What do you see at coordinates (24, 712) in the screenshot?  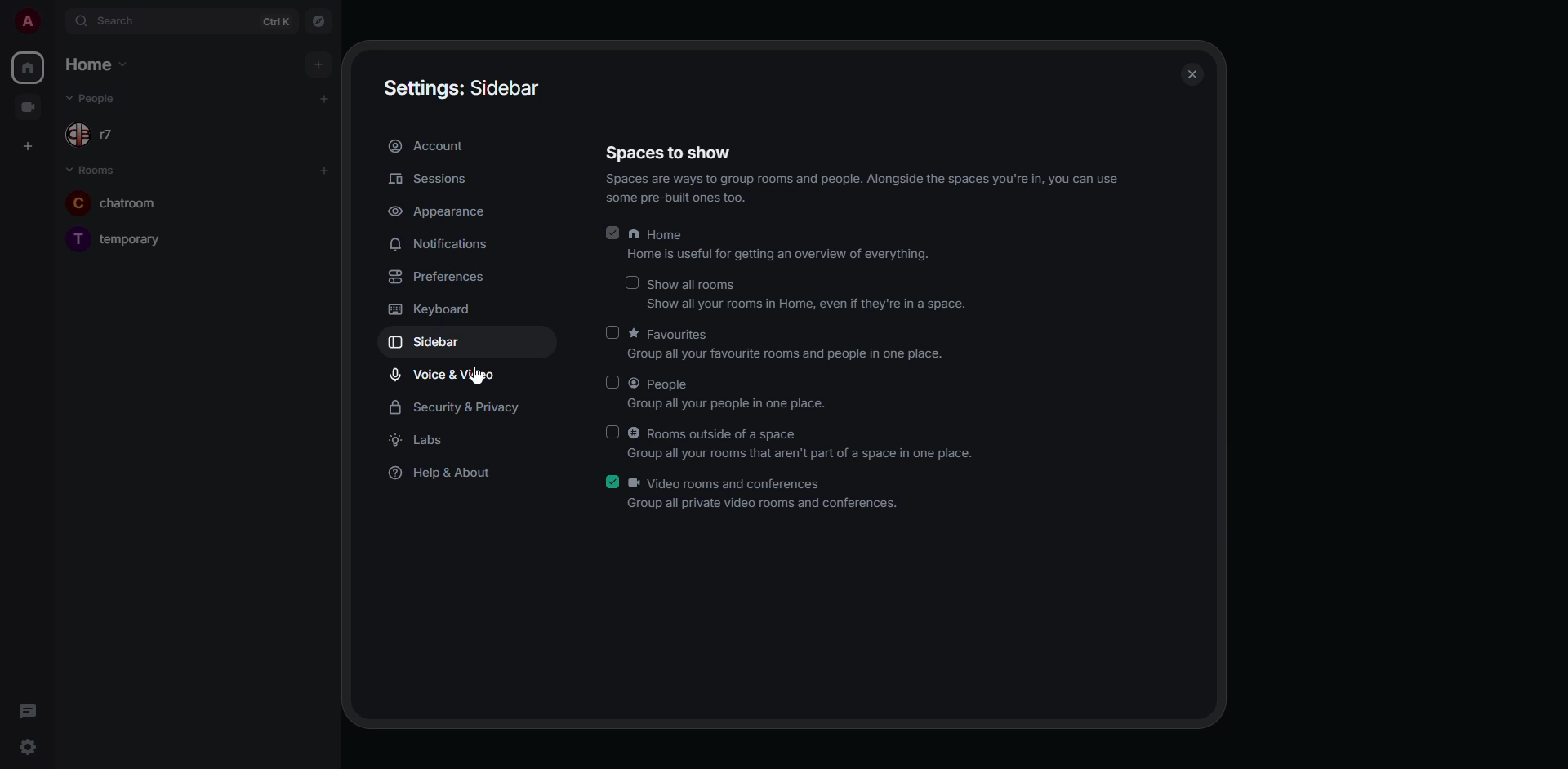 I see `threads` at bounding box center [24, 712].